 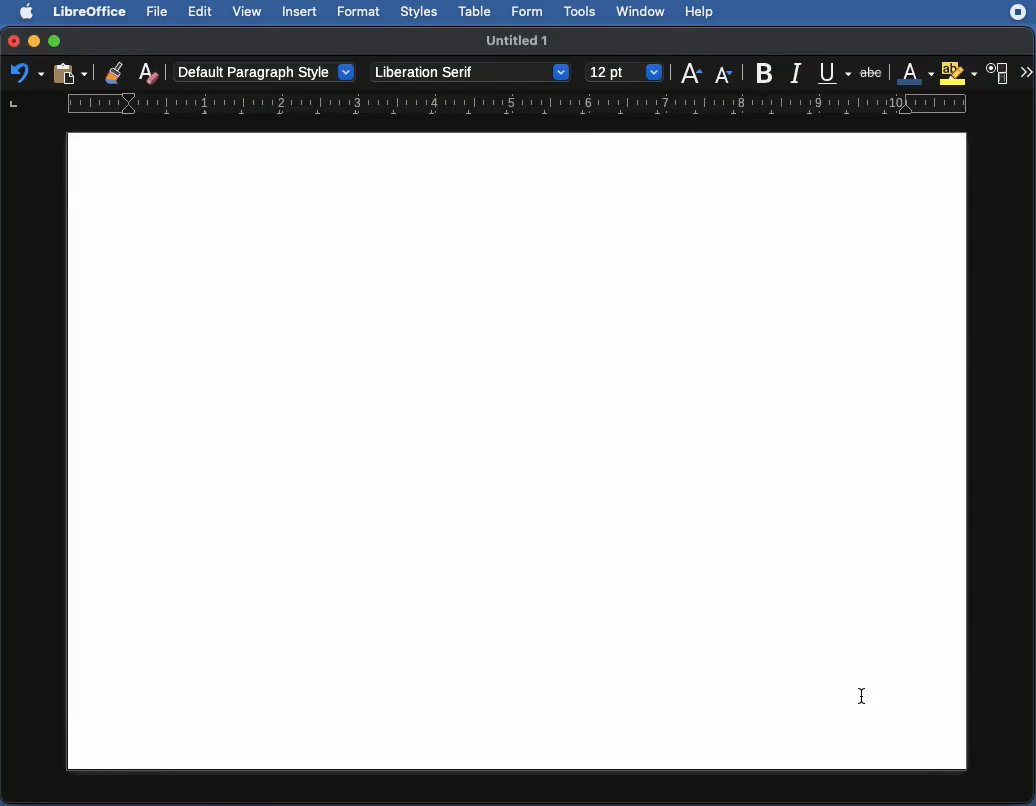 What do you see at coordinates (200, 12) in the screenshot?
I see `Edit` at bounding box center [200, 12].